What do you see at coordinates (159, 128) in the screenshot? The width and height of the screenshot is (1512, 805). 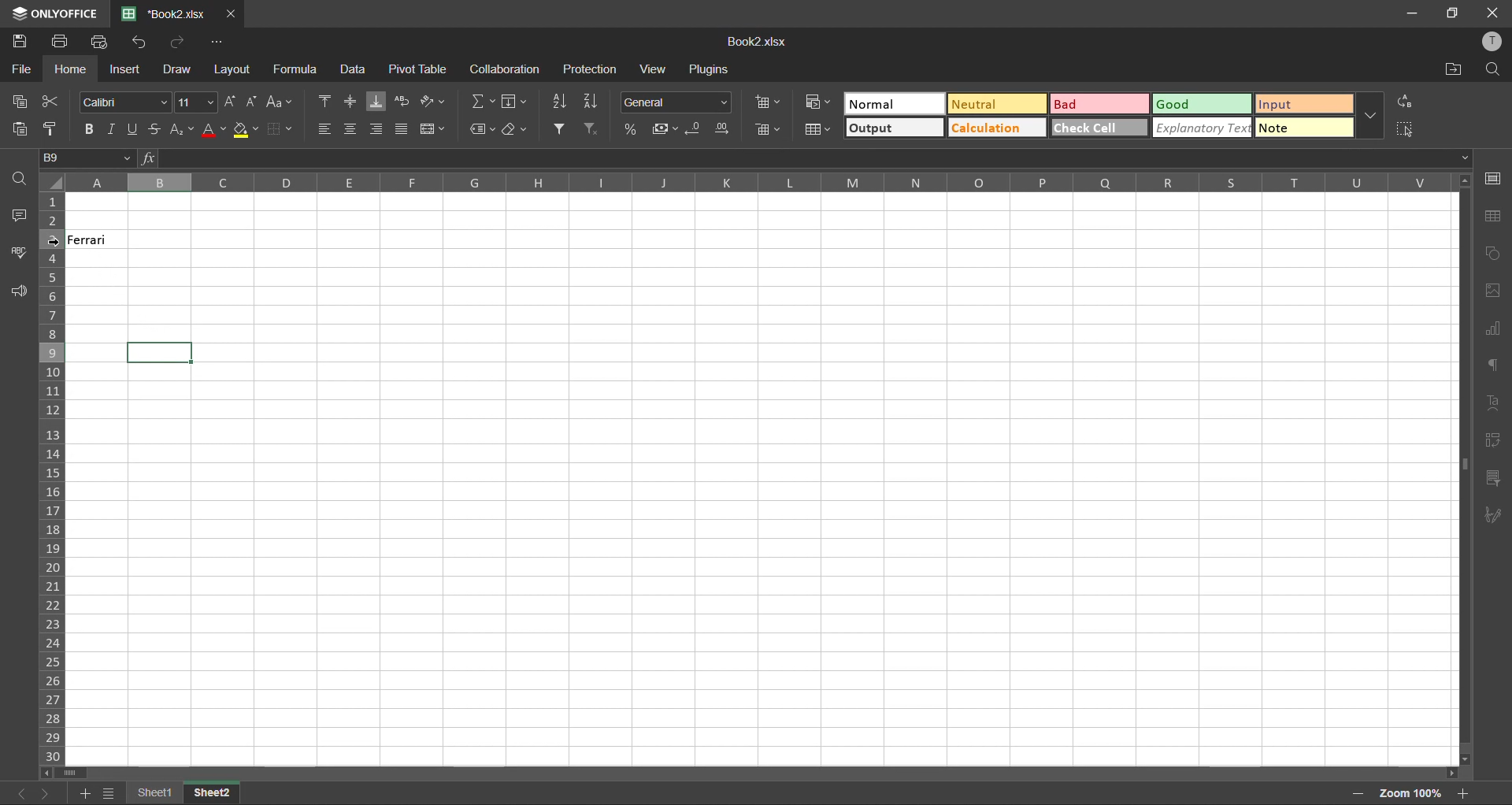 I see `strikethrough` at bounding box center [159, 128].